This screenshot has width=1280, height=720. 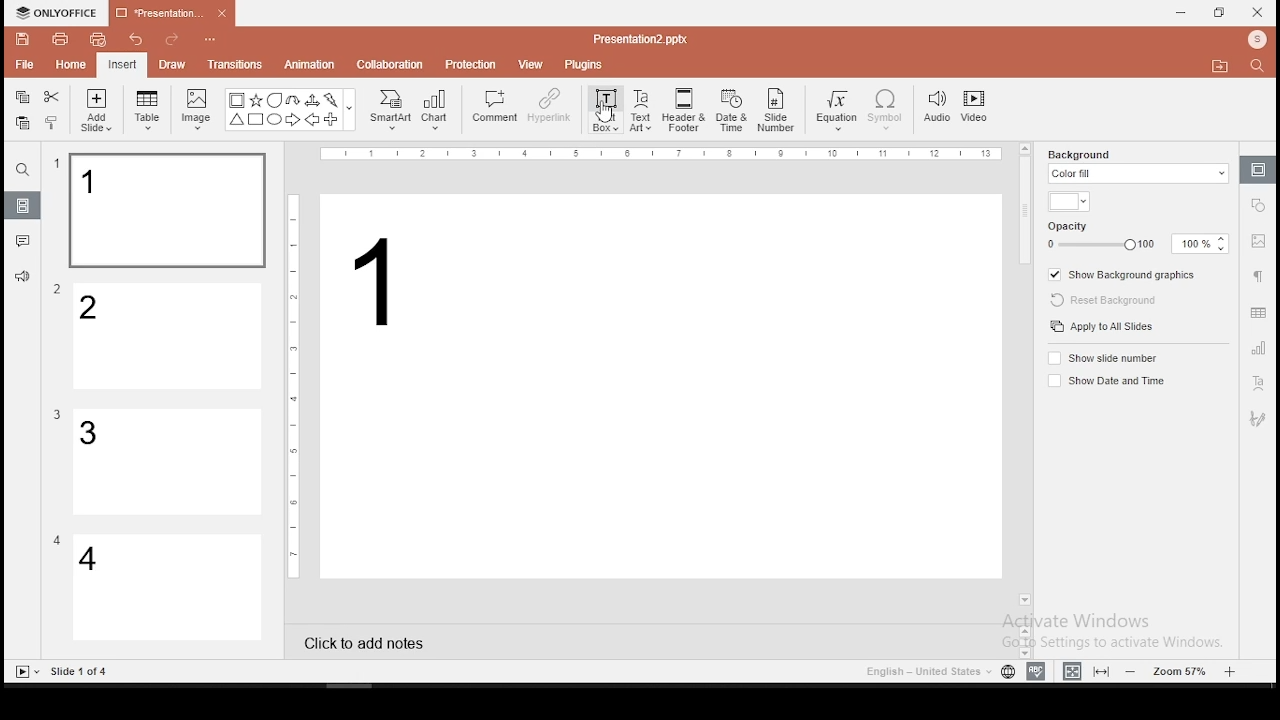 What do you see at coordinates (21, 123) in the screenshot?
I see `paste` at bounding box center [21, 123].